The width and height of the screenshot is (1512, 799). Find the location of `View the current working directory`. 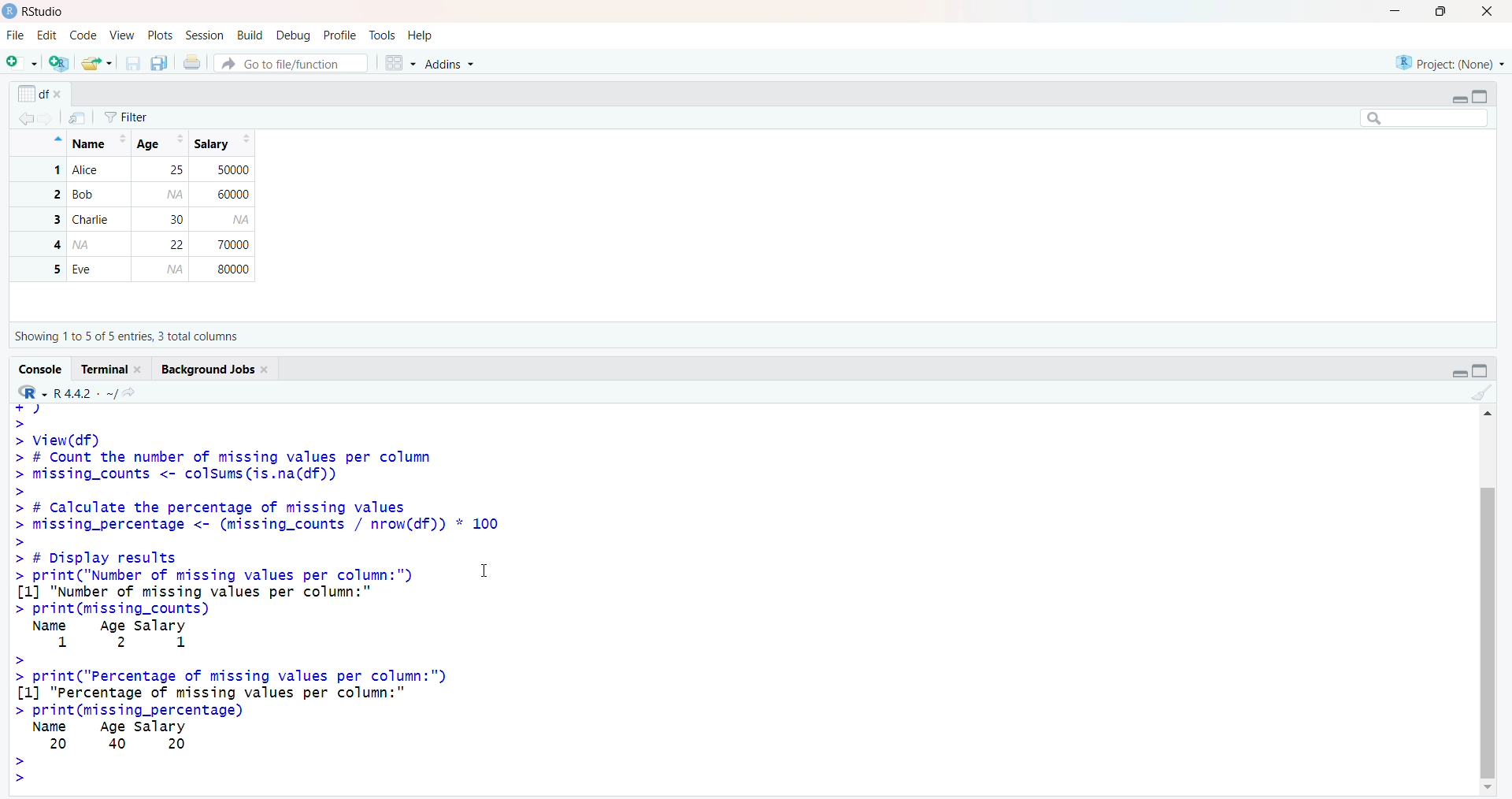

View the current working directory is located at coordinates (132, 392).